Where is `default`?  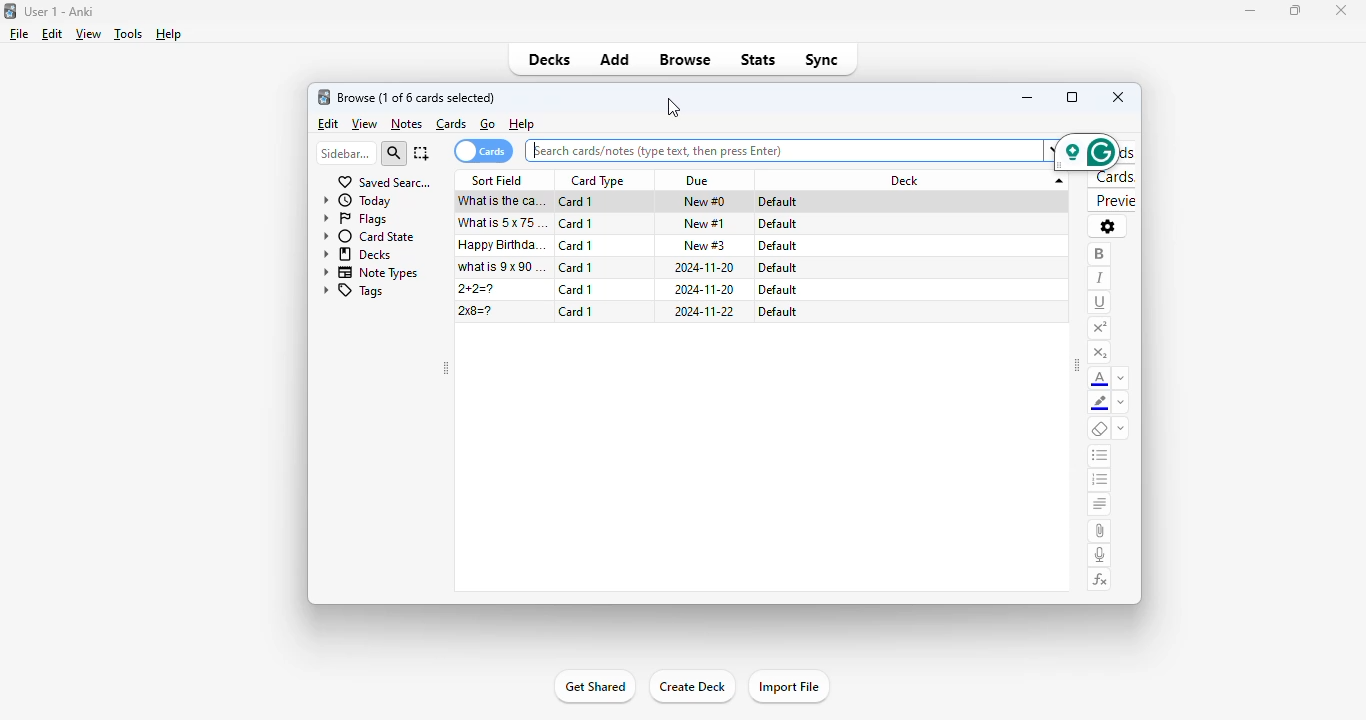
default is located at coordinates (778, 201).